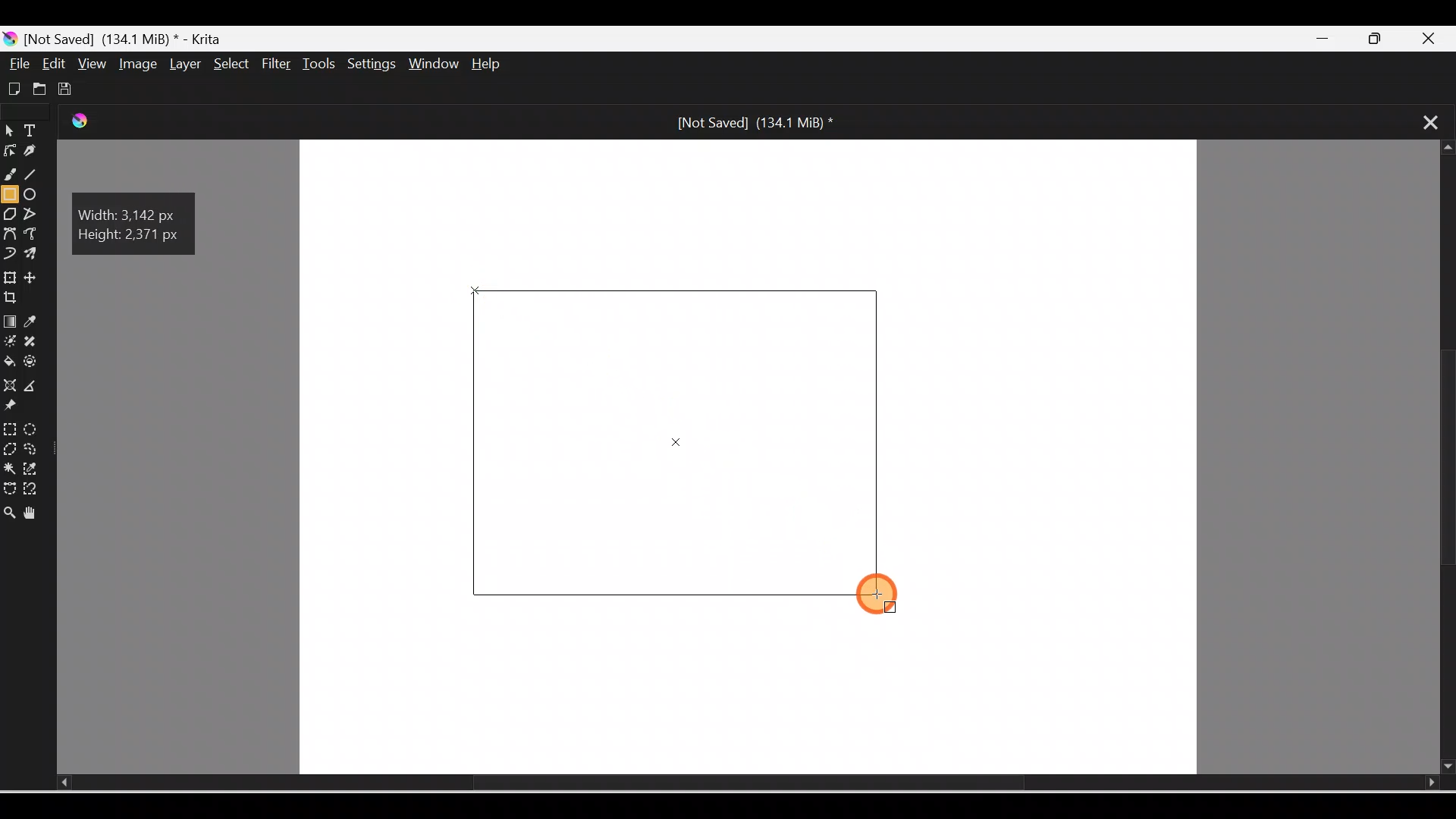 The width and height of the screenshot is (1456, 819). Describe the element at coordinates (36, 365) in the screenshot. I see `Enclose and fill tool` at that location.